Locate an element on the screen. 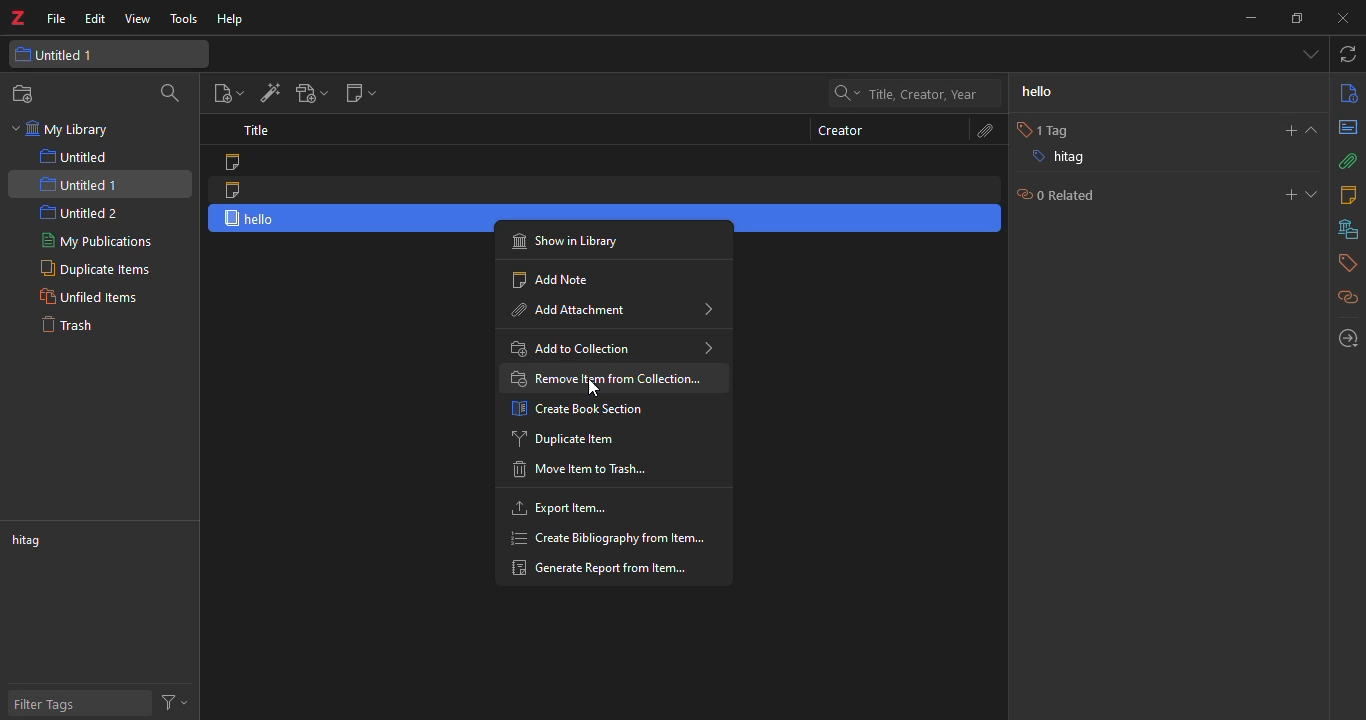  untitled 1 is located at coordinates (57, 56).